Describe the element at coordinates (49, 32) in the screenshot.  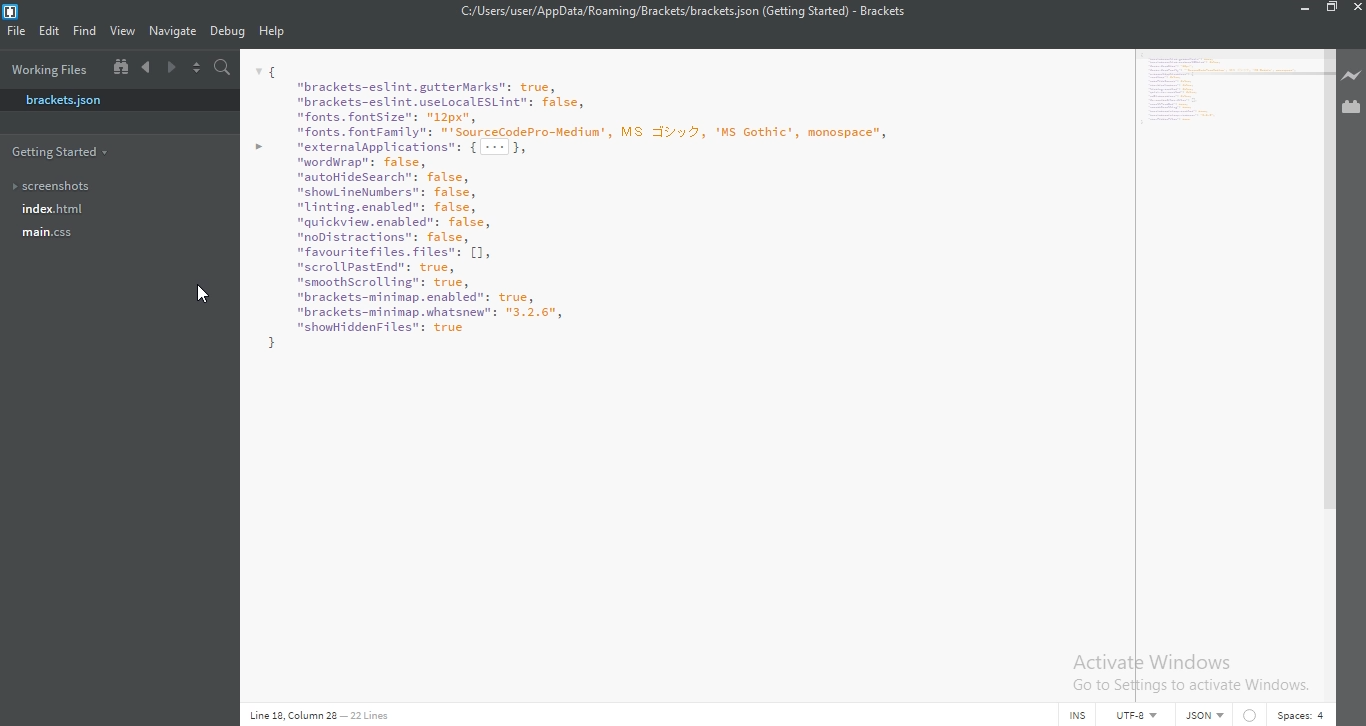
I see `Edit` at that location.